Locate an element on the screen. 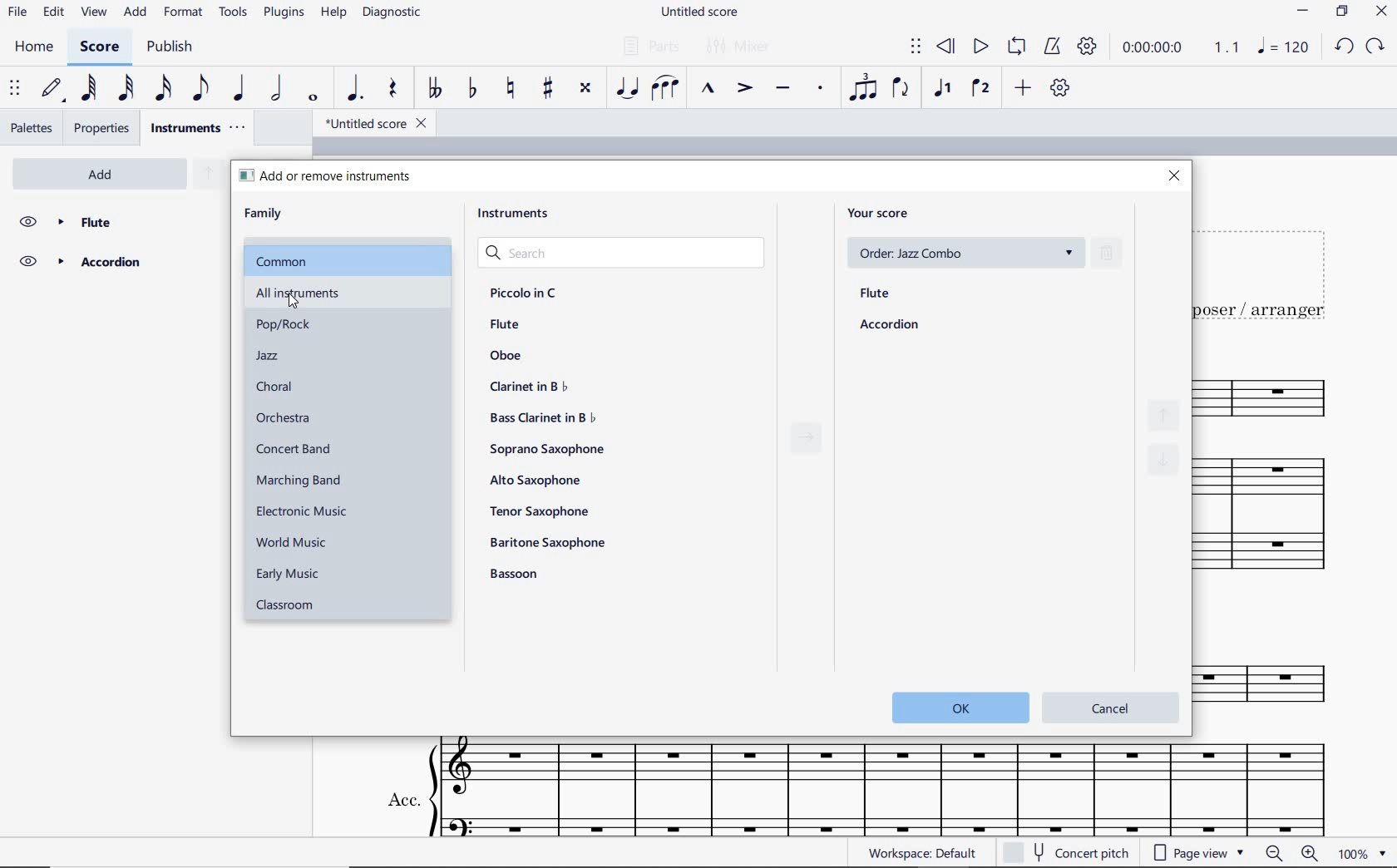 The height and width of the screenshot is (868, 1397). search is located at coordinates (620, 250).